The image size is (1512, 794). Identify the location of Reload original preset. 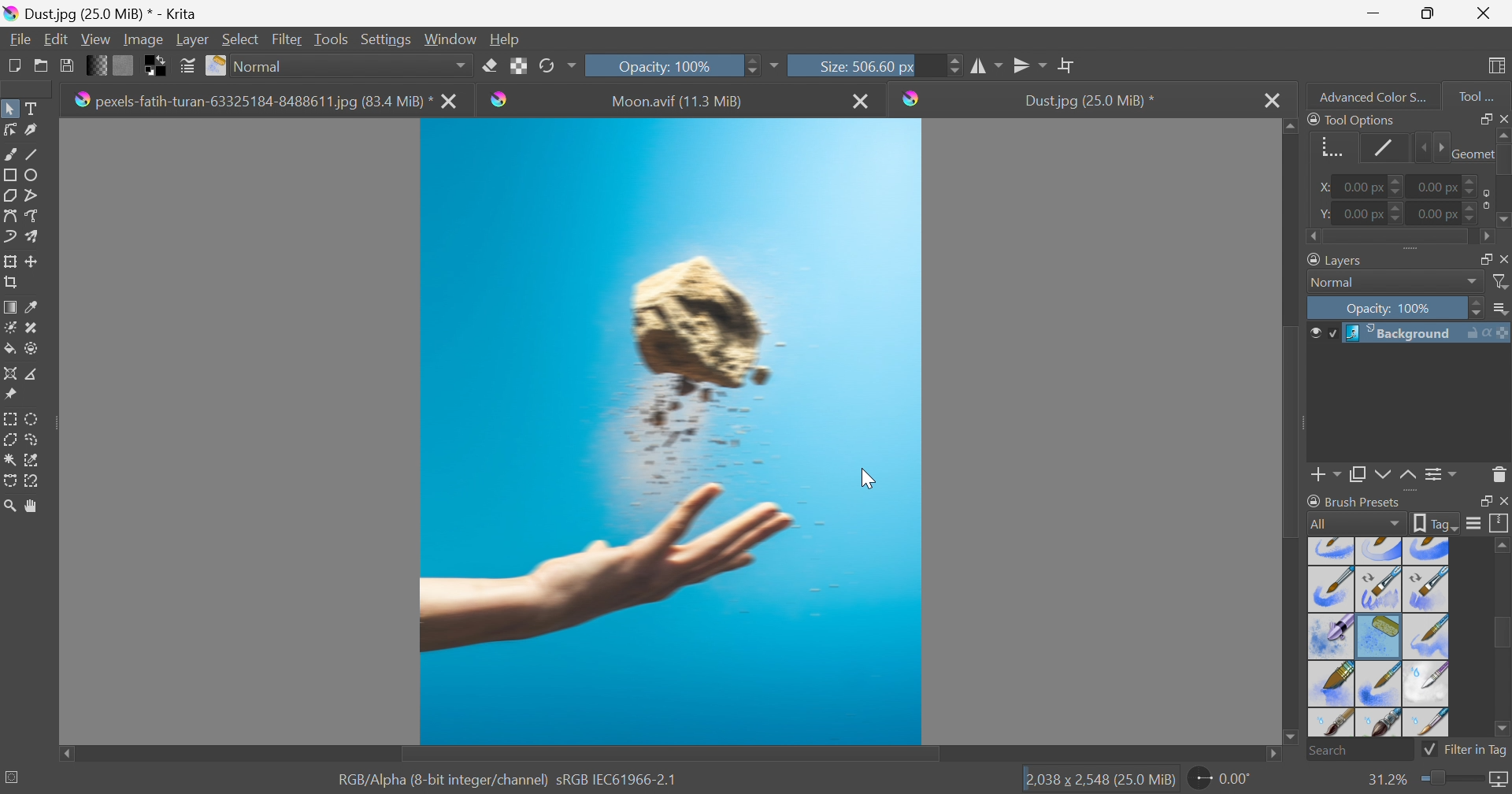
(557, 64).